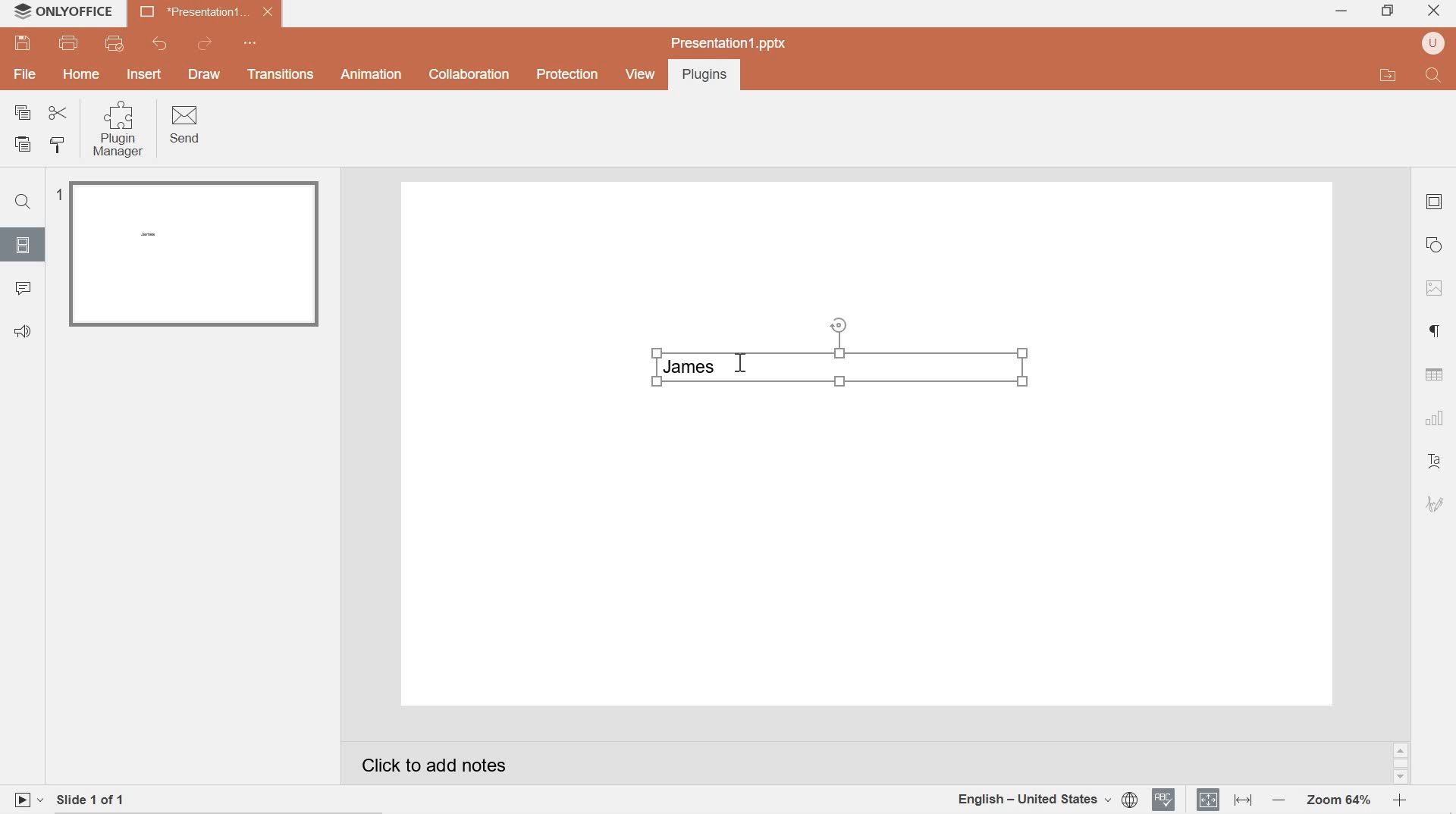 Image resolution: width=1456 pixels, height=814 pixels. What do you see at coordinates (1341, 12) in the screenshot?
I see `minimize` at bounding box center [1341, 12].